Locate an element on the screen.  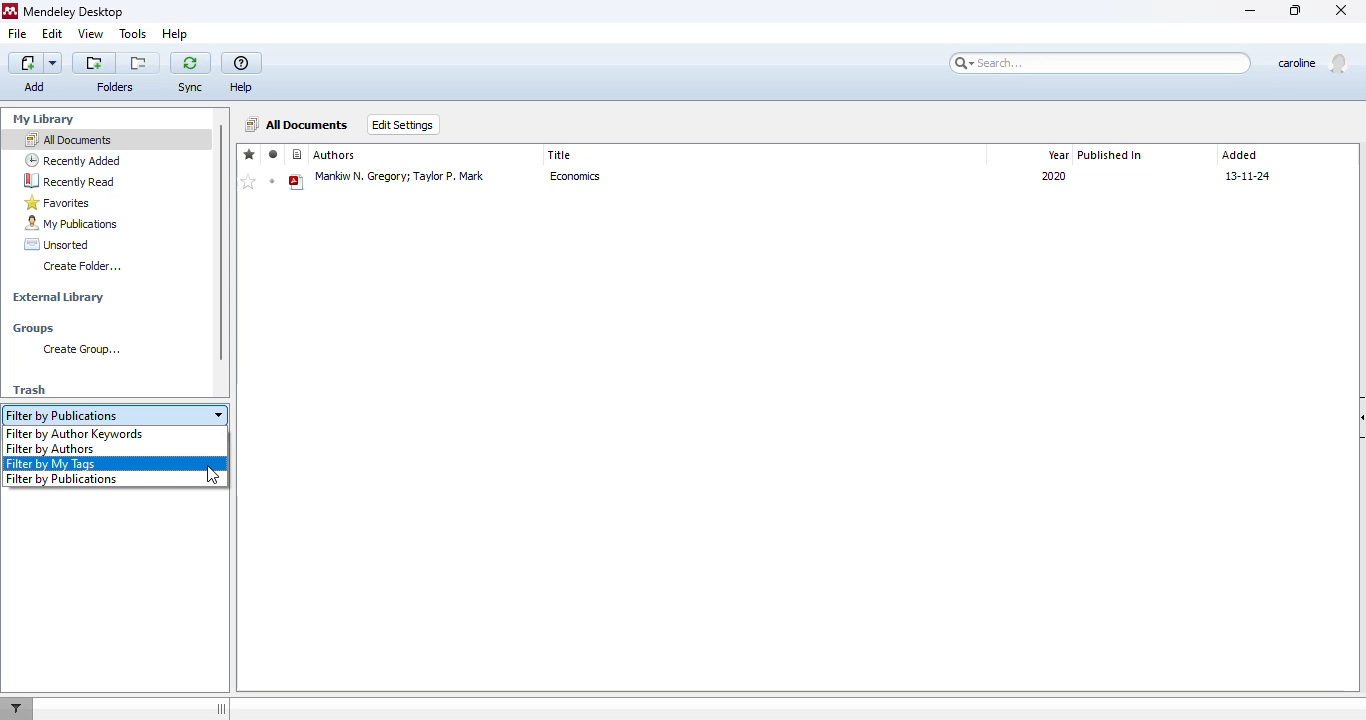
authors is located at coordinates (335, 155).